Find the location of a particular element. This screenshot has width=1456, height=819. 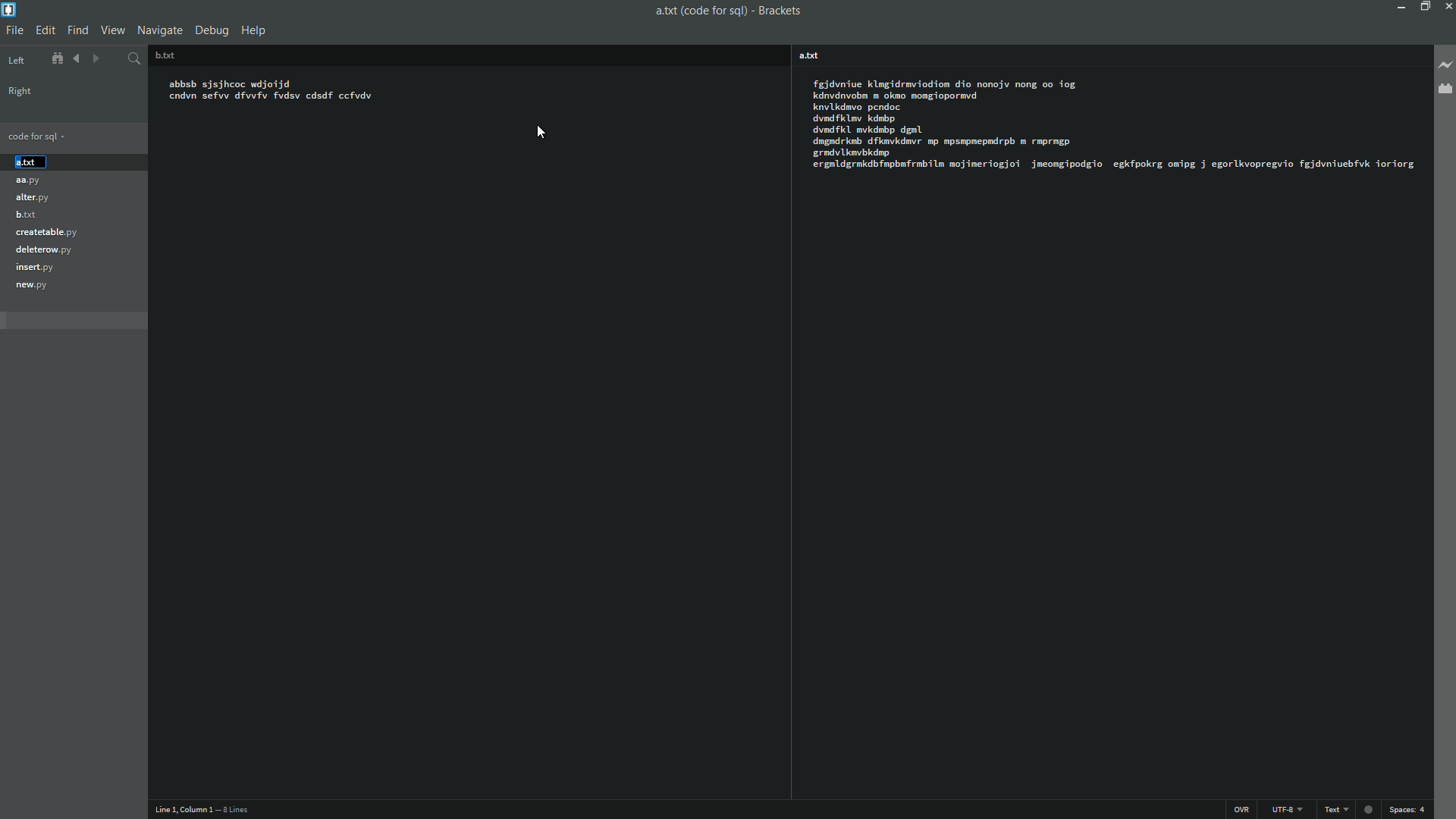

b.txt is located at coordinates (24, 214).